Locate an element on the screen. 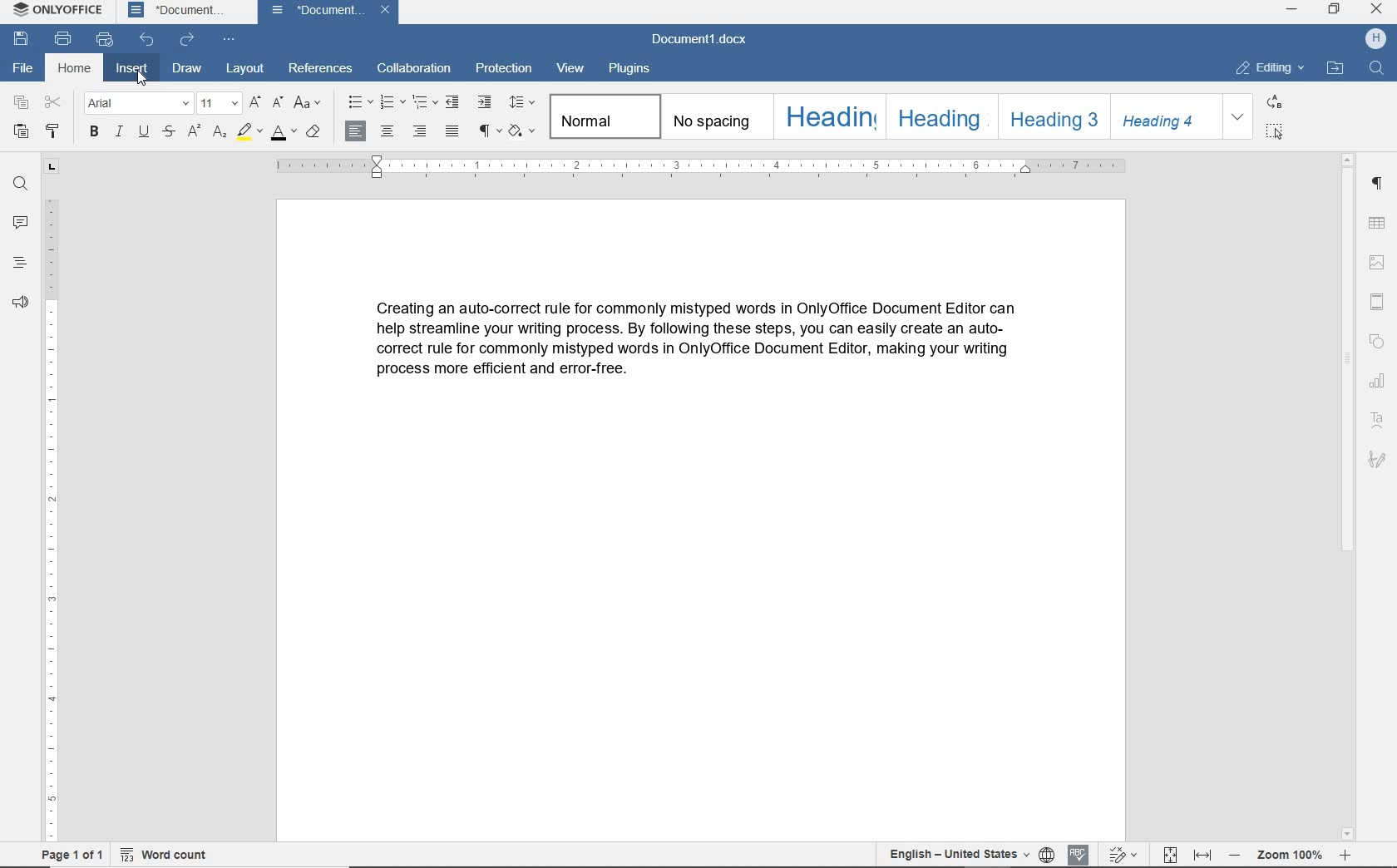 This screenshot has height=868, width=1397. expand is located at coordinates (1238, 117).